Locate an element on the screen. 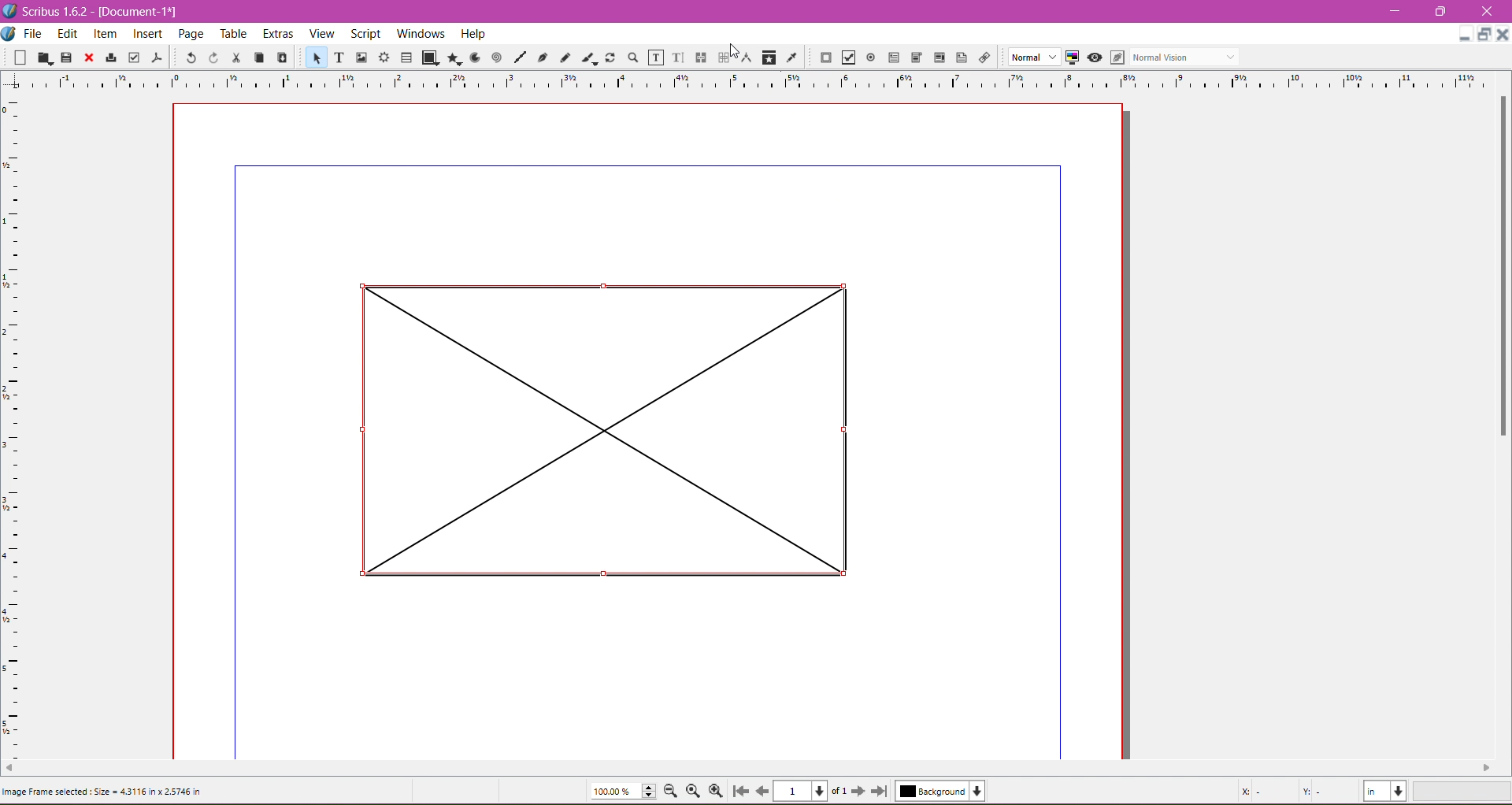 The image size is (1512, 805). Text Frame is located at coordinates (339, 59).